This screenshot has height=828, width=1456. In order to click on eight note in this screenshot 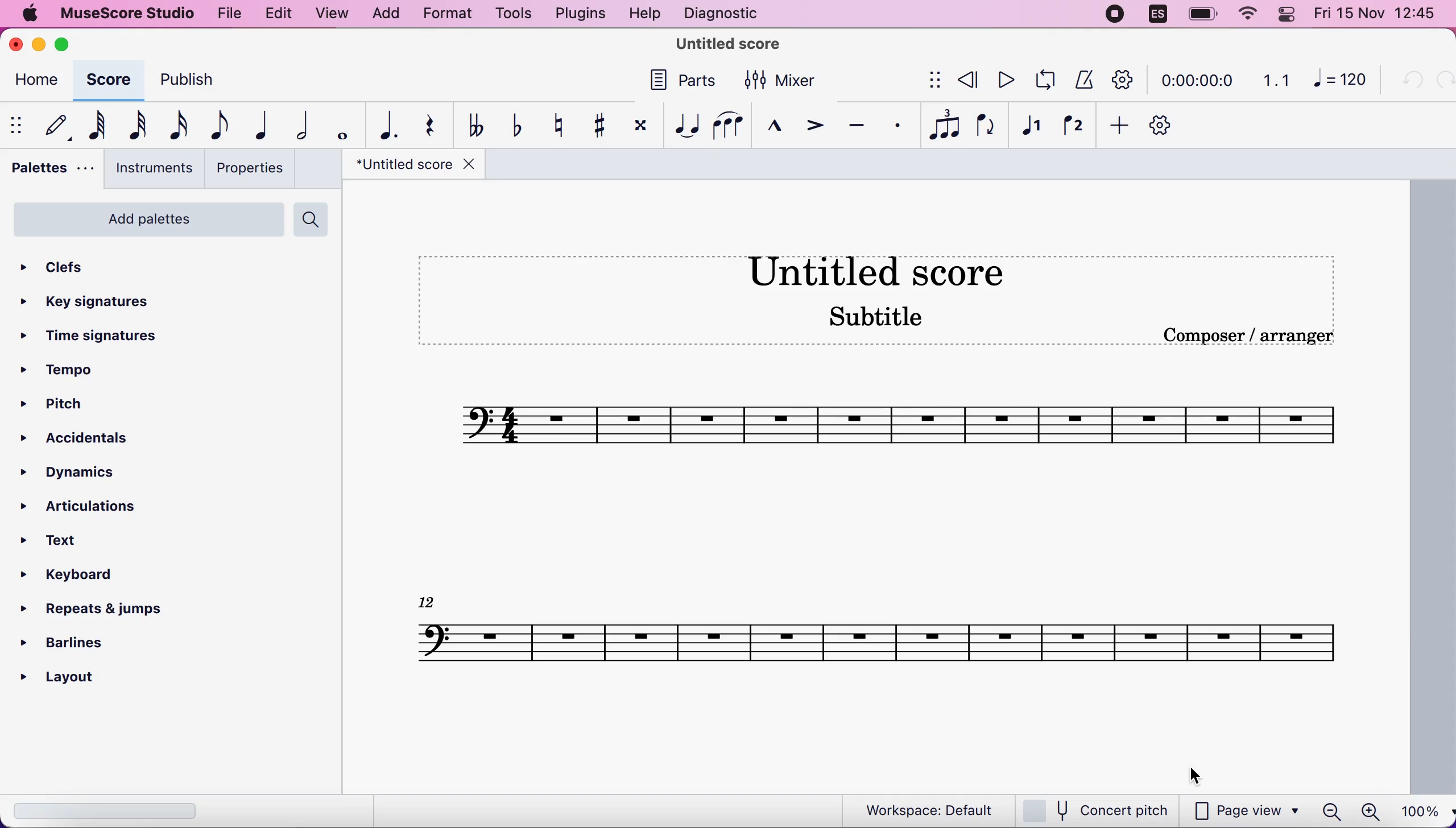, I will do `click(217, 124)`.